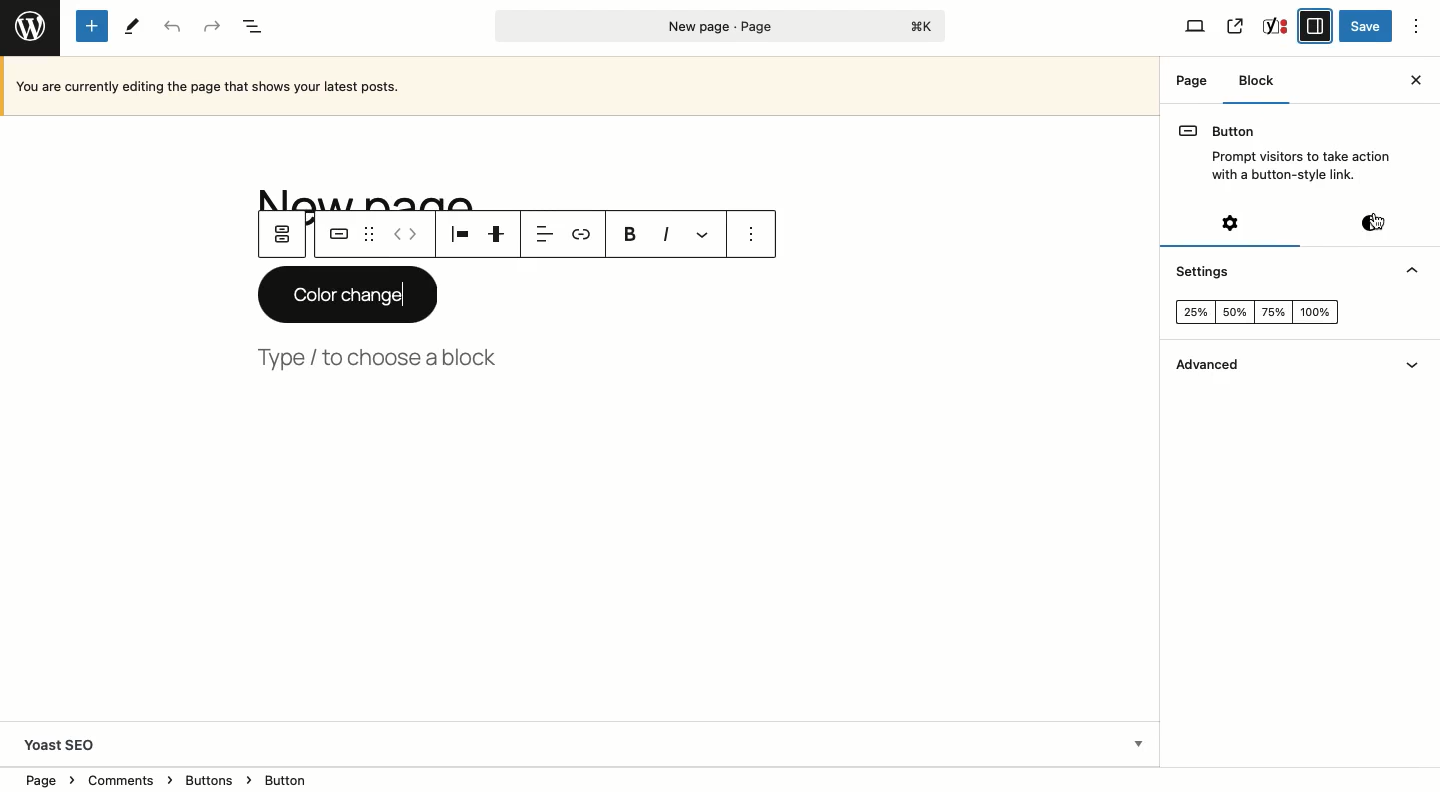 This screenshot has width=1440, height=792. Describe the element at coordinates (1378, 223) in the screenshot. I see `cursor` at that location.